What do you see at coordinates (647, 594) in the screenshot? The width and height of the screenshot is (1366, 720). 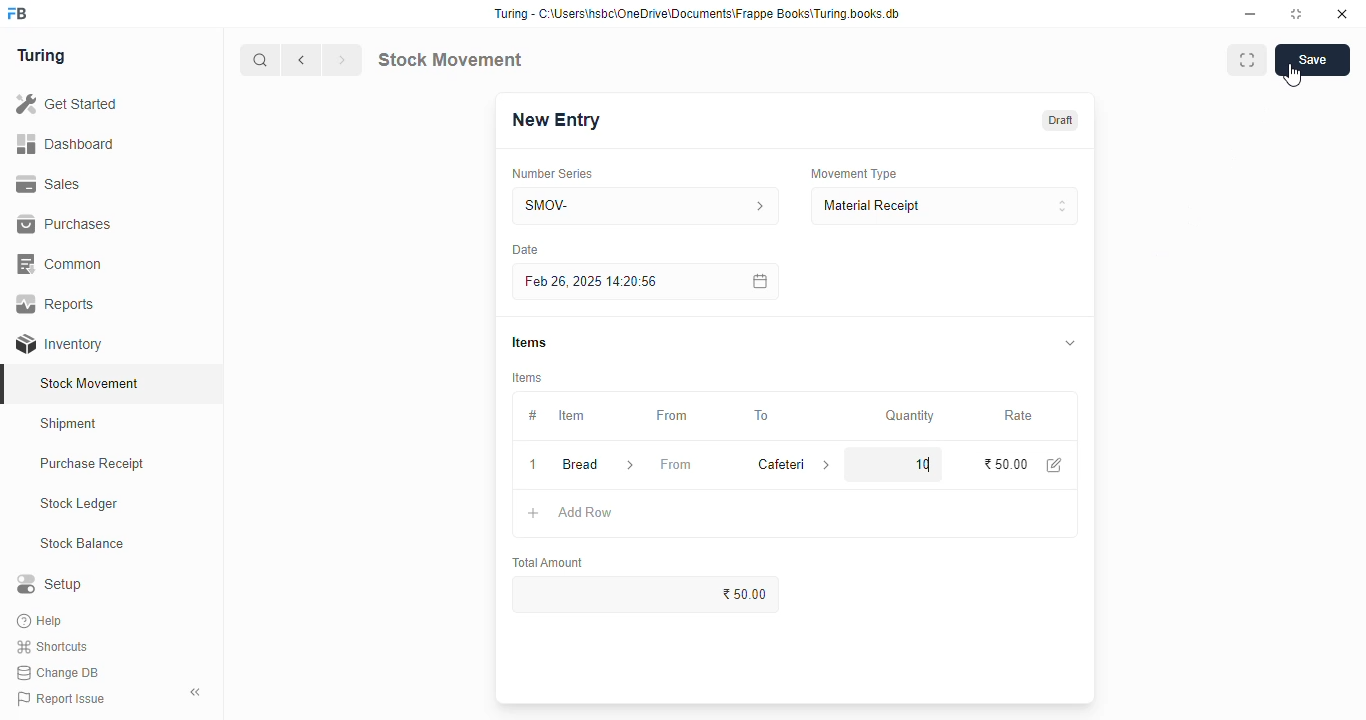 I see `₹50.00` at bounding box center [647, 594].